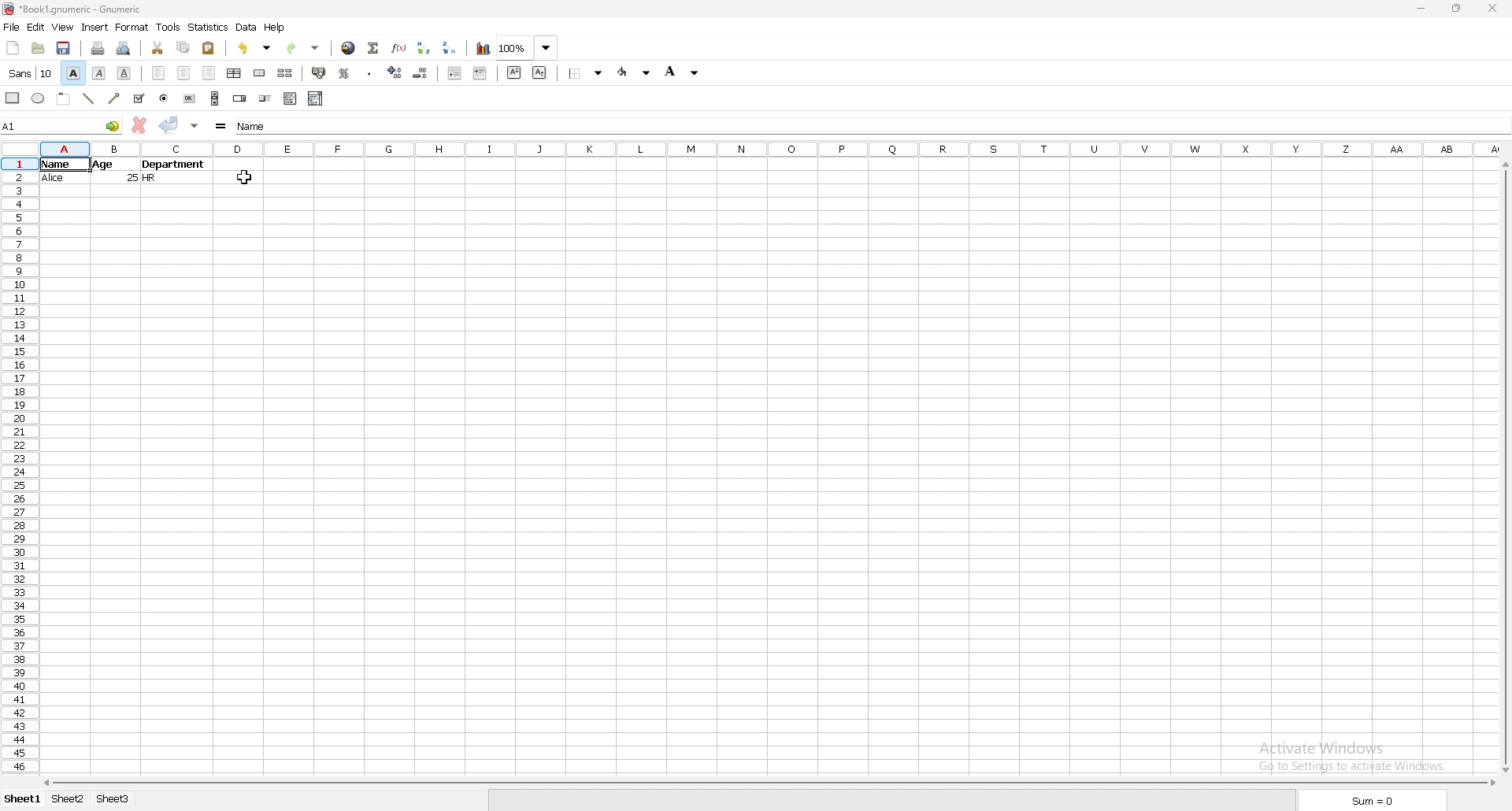 Image resolution: width=1512 pixels, height=811 pixels. What do you see at coordinates (373, 47) in the screenshot?
I see `summation` at bounding box center [373, 47].